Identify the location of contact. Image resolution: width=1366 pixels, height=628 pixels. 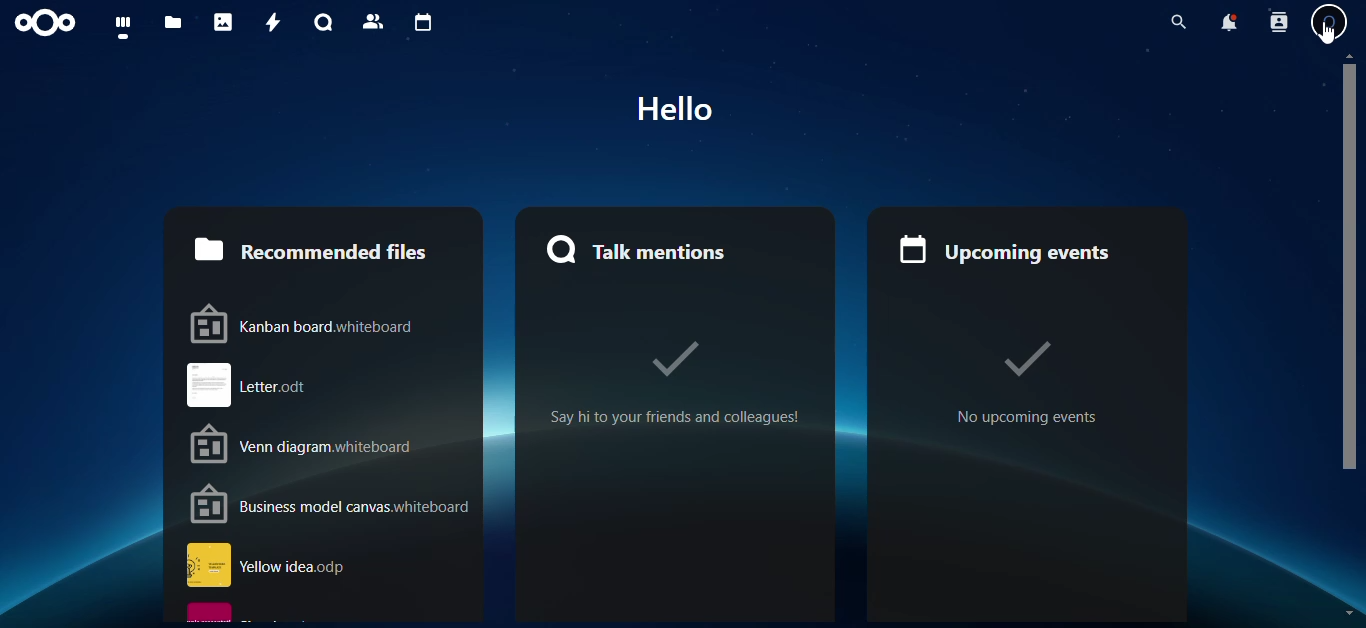
(373, 22).